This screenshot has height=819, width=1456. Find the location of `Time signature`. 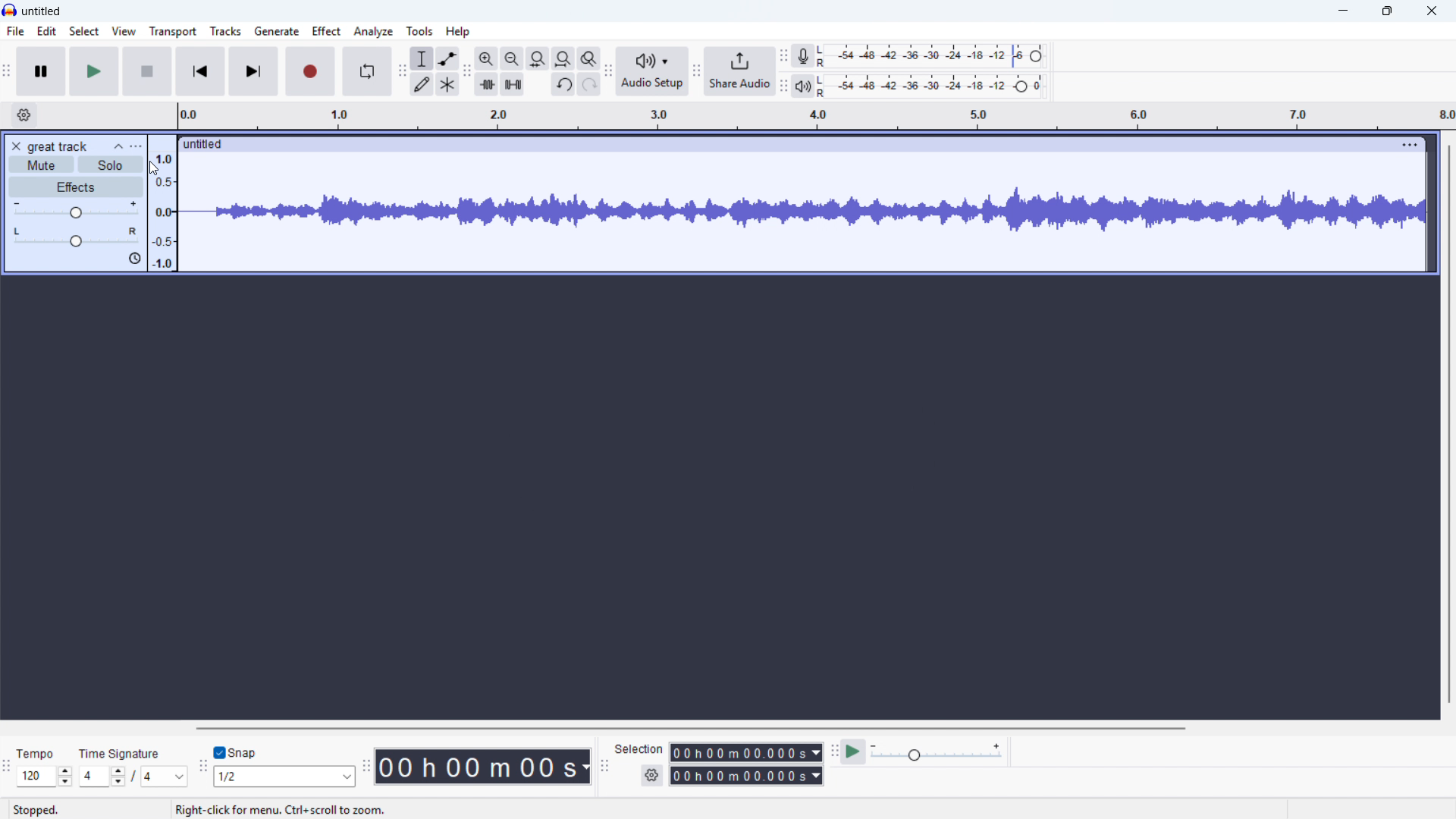

Time signature is located at coordinates (121, 752).